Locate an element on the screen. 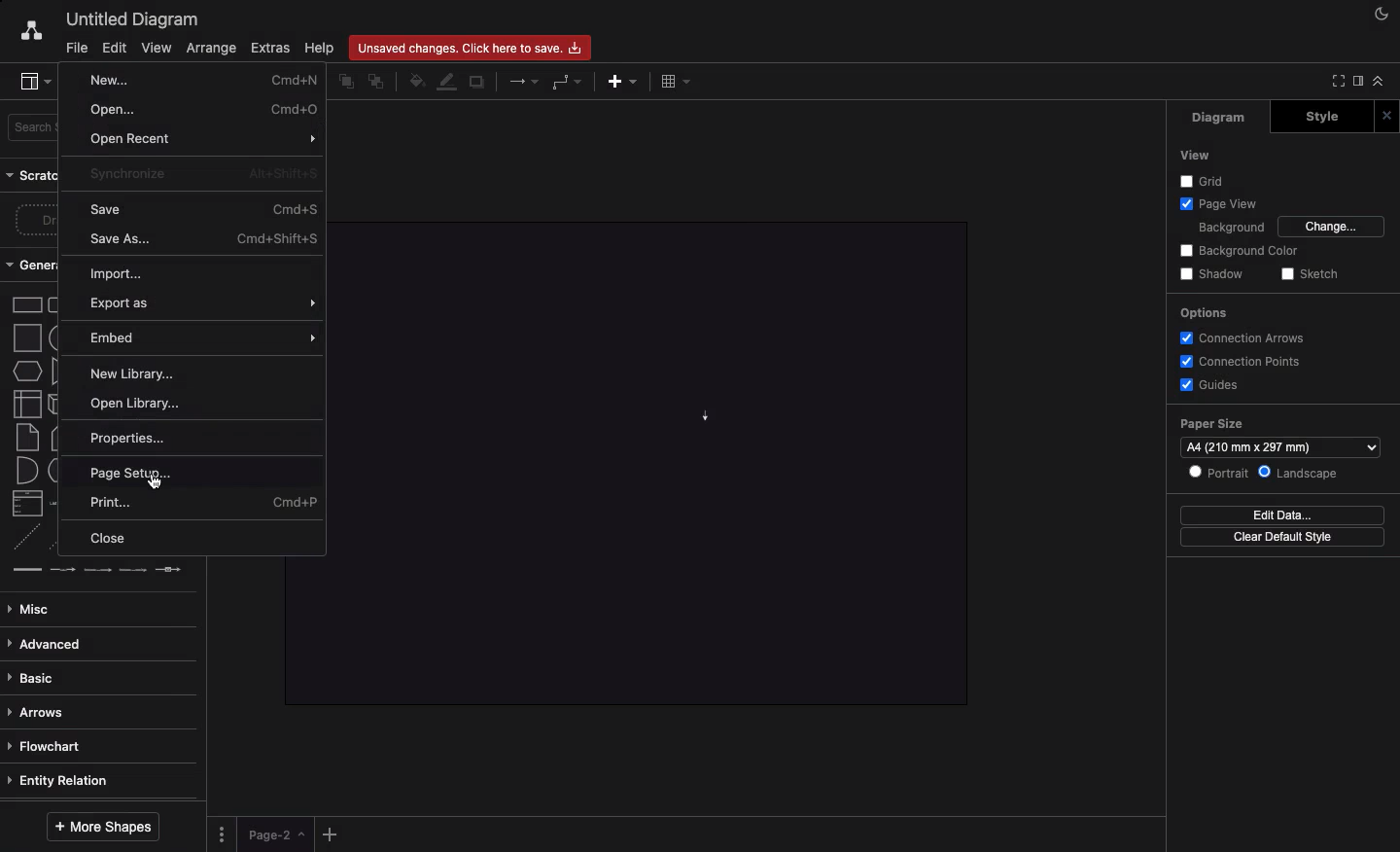 This screenshot has width=1400, height=852. Sketch is located at coordinates (1308, 275).